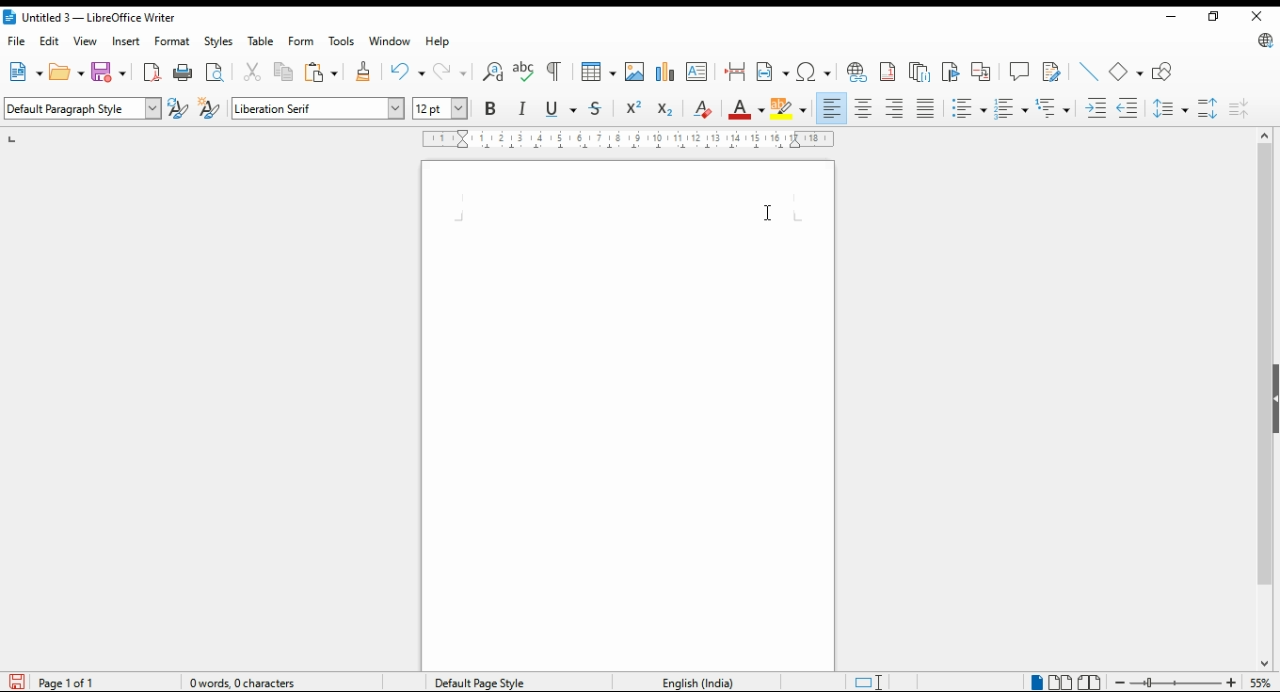  What do you see at coordinates (1089, 71) in the screenshot?
I see `insert line` at bounding box center [1089, 71].